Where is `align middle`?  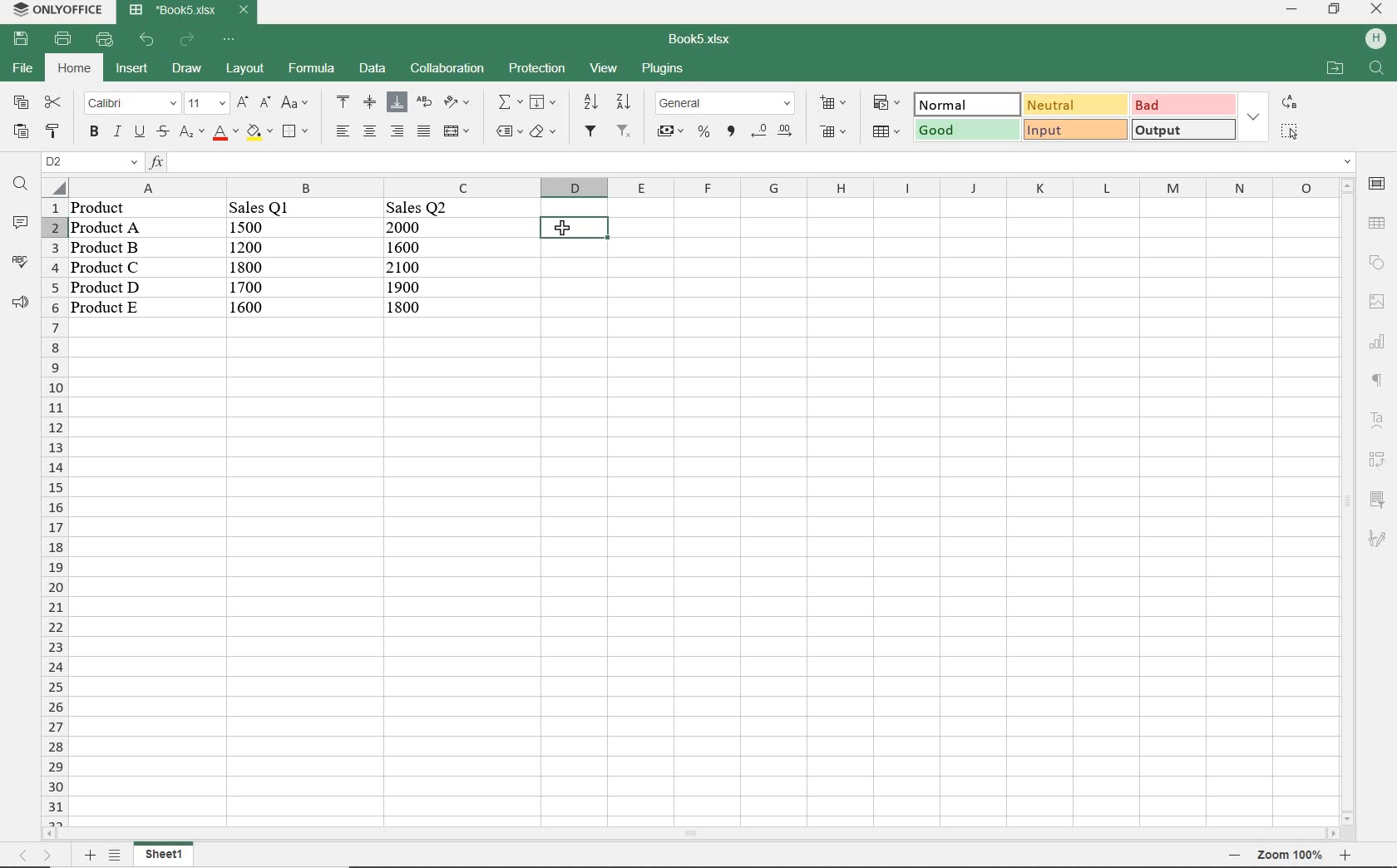
align middle is located at coordinates (370, 104).